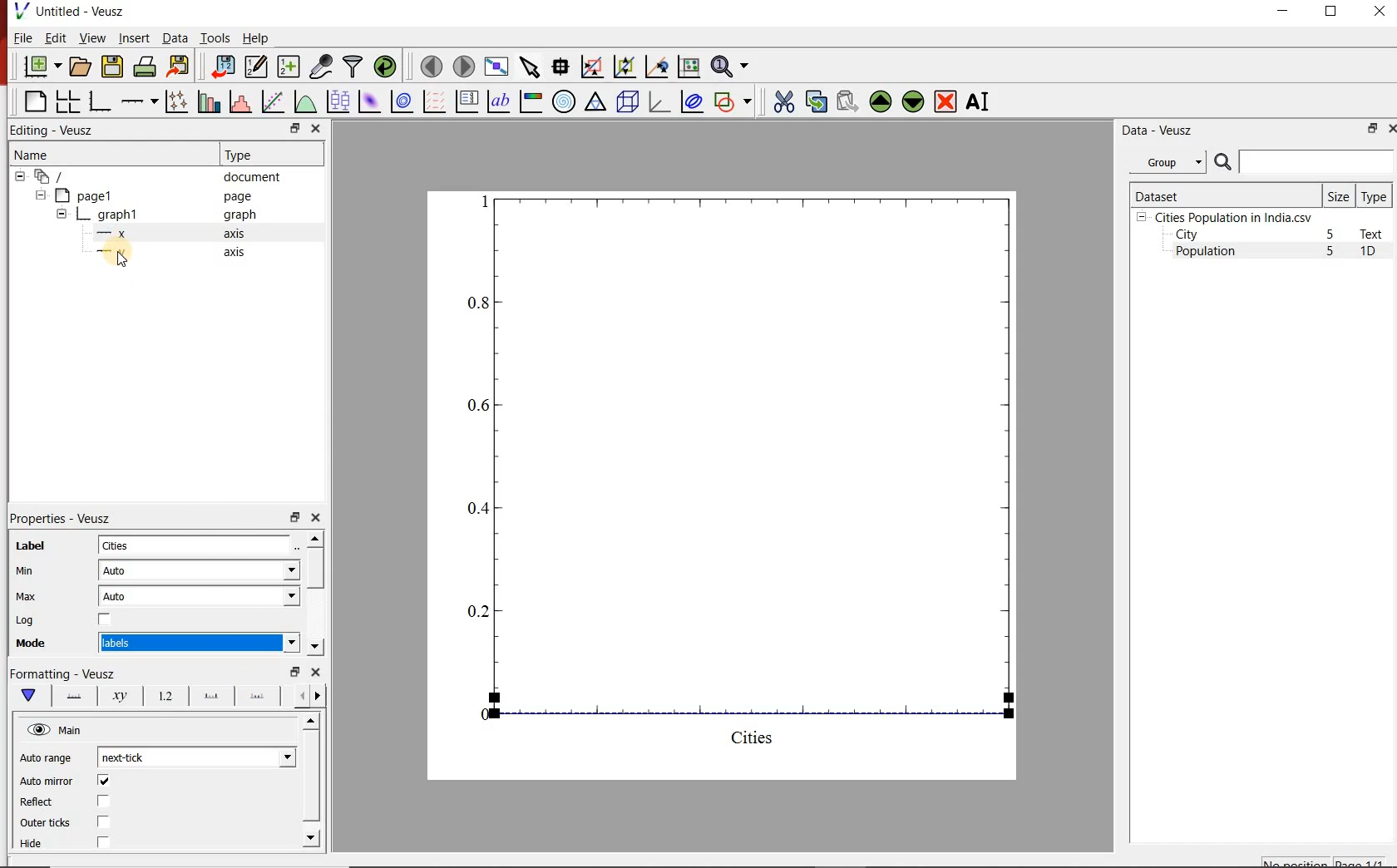 This screenshot has height=868, width=1397. What do you see at coordinates (200, 570) in the screenshot?
I see `Auto` at bounding box center [200, 570].